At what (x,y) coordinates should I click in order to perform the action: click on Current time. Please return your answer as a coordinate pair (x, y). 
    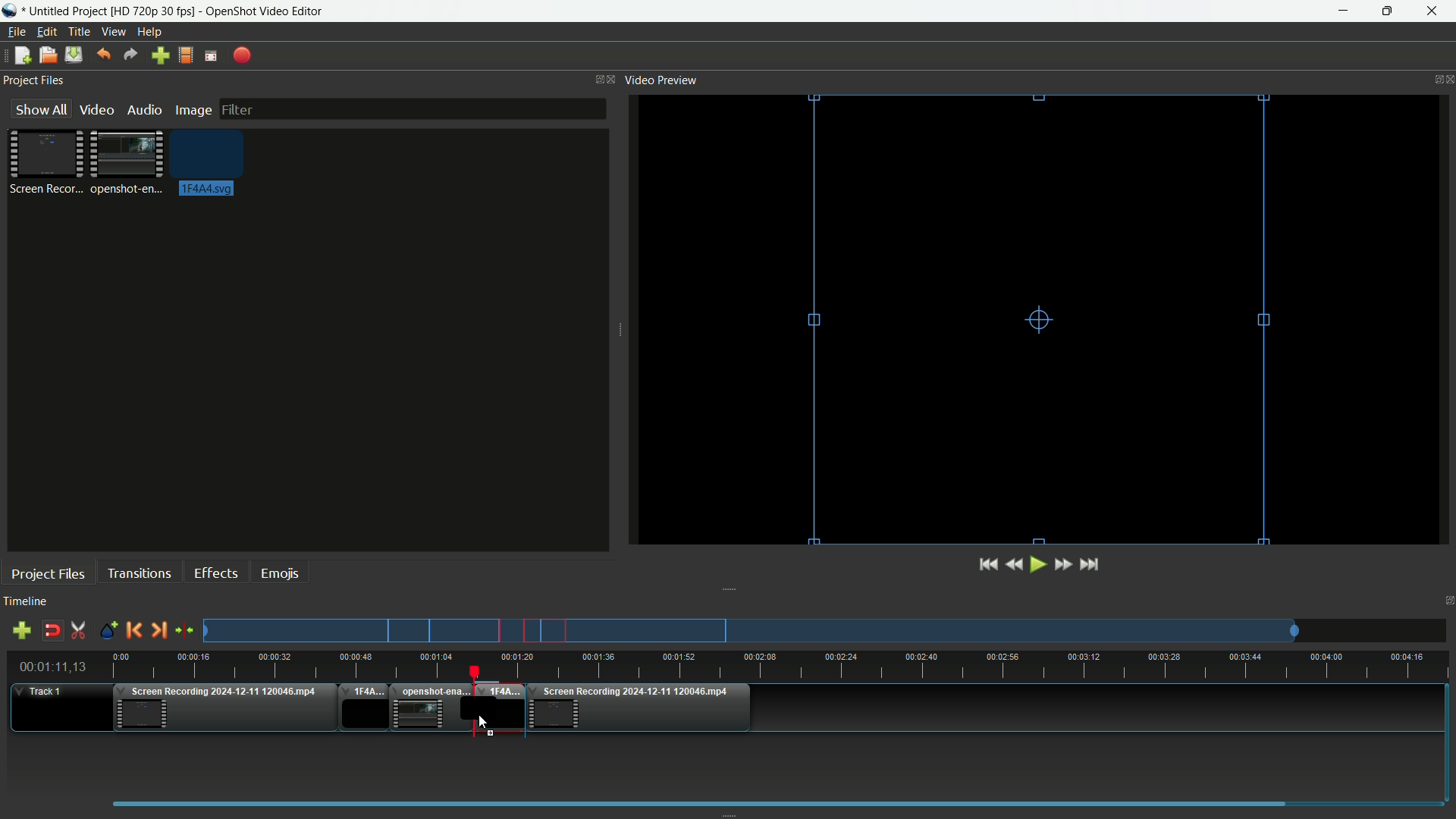
    Looking at the image, I should click on (57, 667).